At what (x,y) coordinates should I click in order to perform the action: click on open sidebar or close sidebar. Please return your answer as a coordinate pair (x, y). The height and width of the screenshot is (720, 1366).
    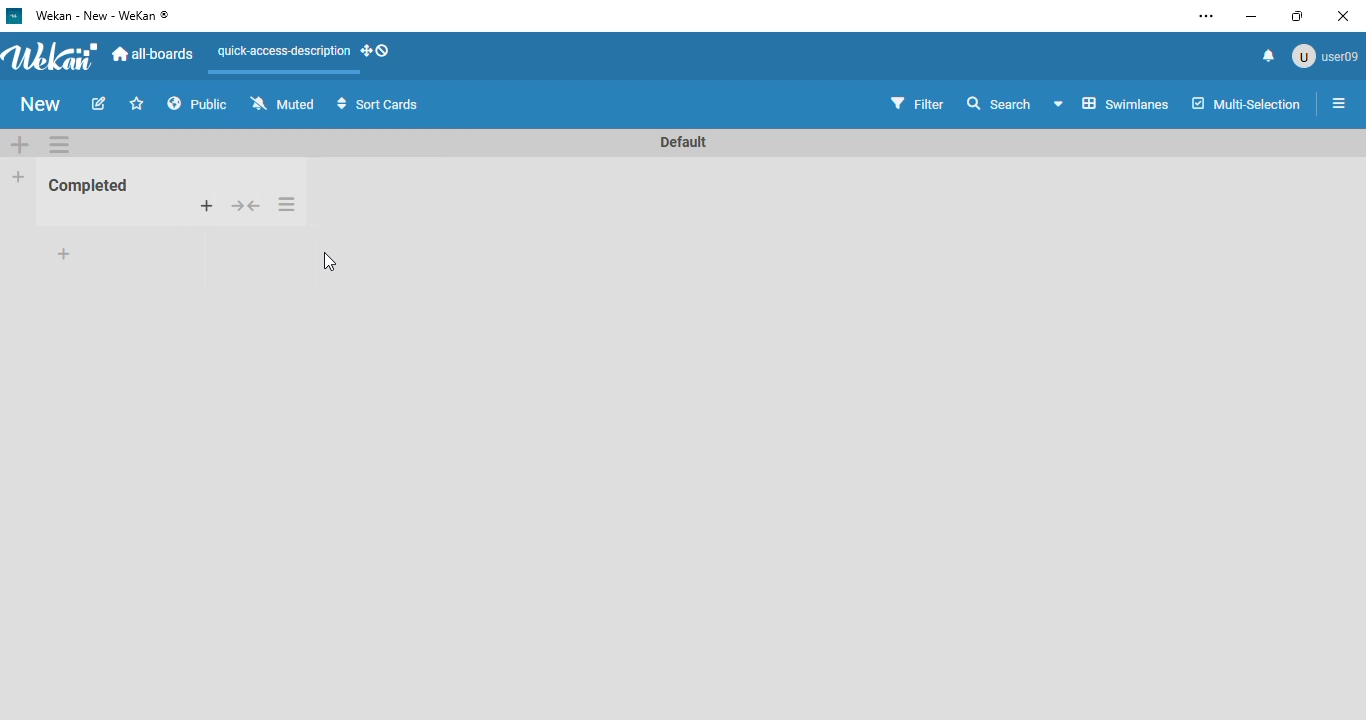
    Looking at the image, I should click on (1339, 102).